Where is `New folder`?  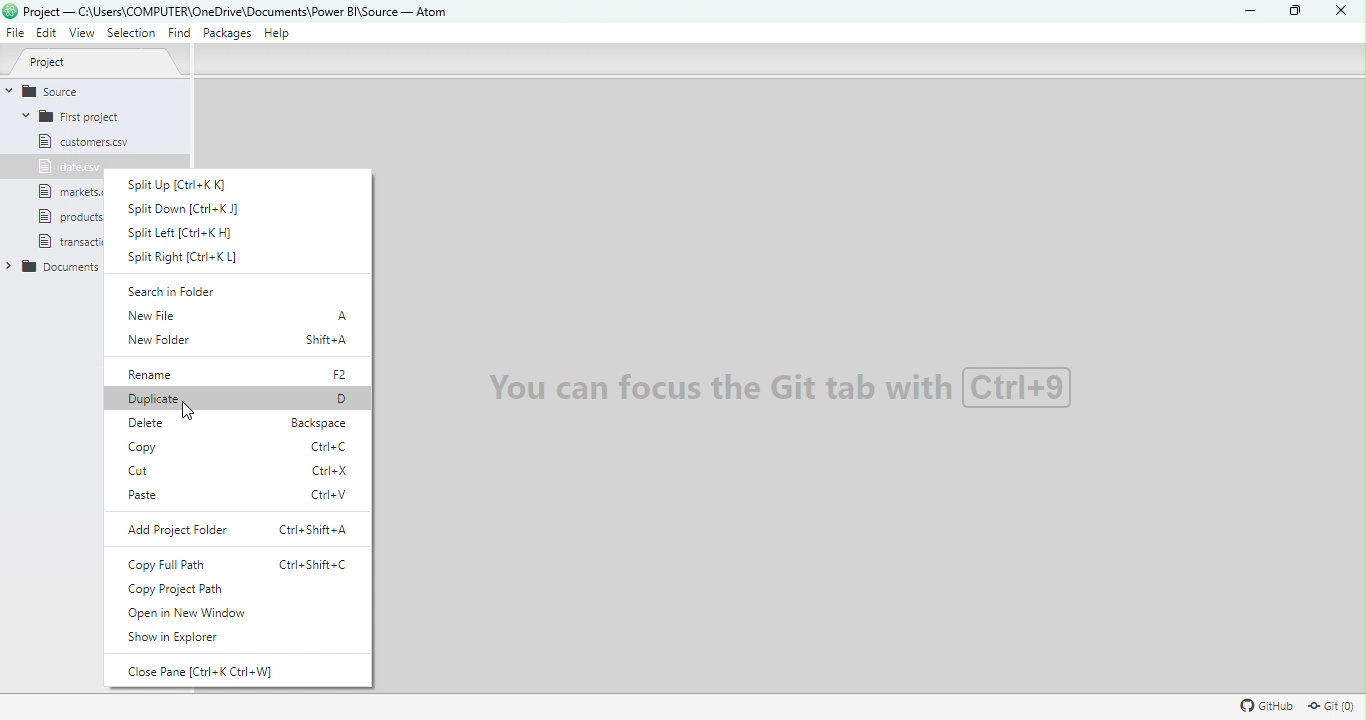 New folder is located at coordinates (239, 344).